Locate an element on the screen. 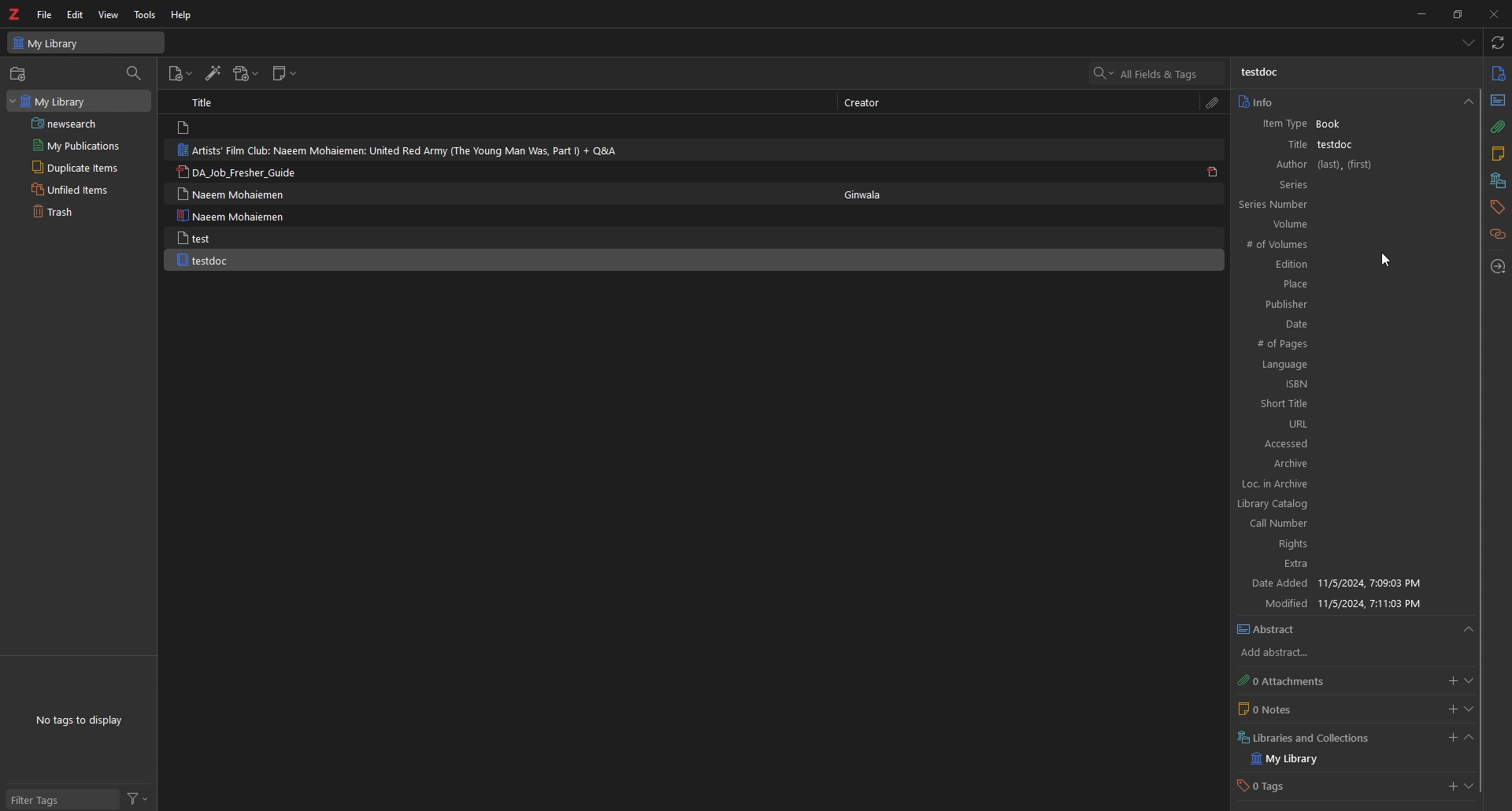 The image size is (1512, 811). show is located at coordinates (1469, 787).